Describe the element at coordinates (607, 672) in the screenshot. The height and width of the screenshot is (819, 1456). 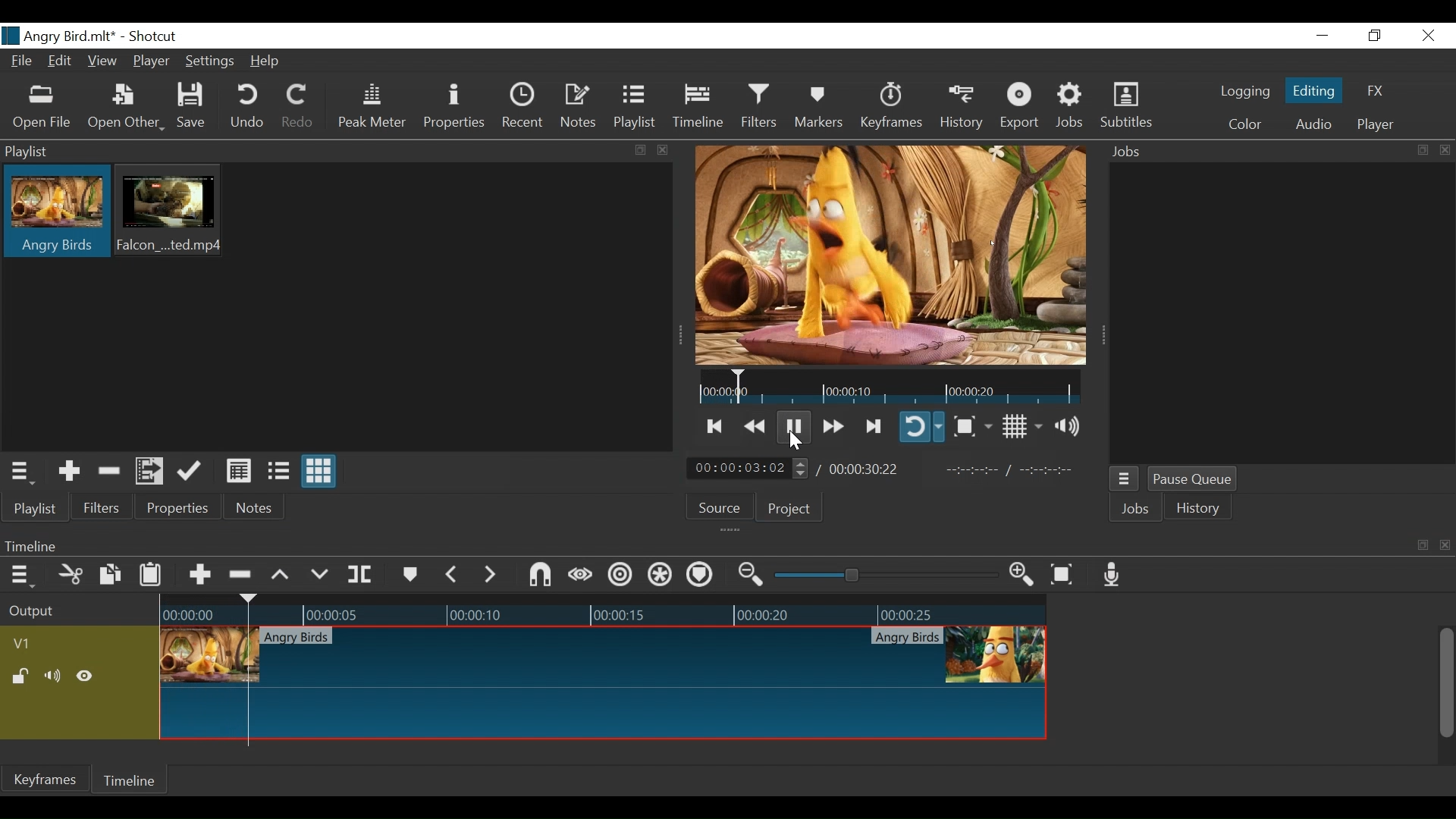
I see `thumbnail` at that location.